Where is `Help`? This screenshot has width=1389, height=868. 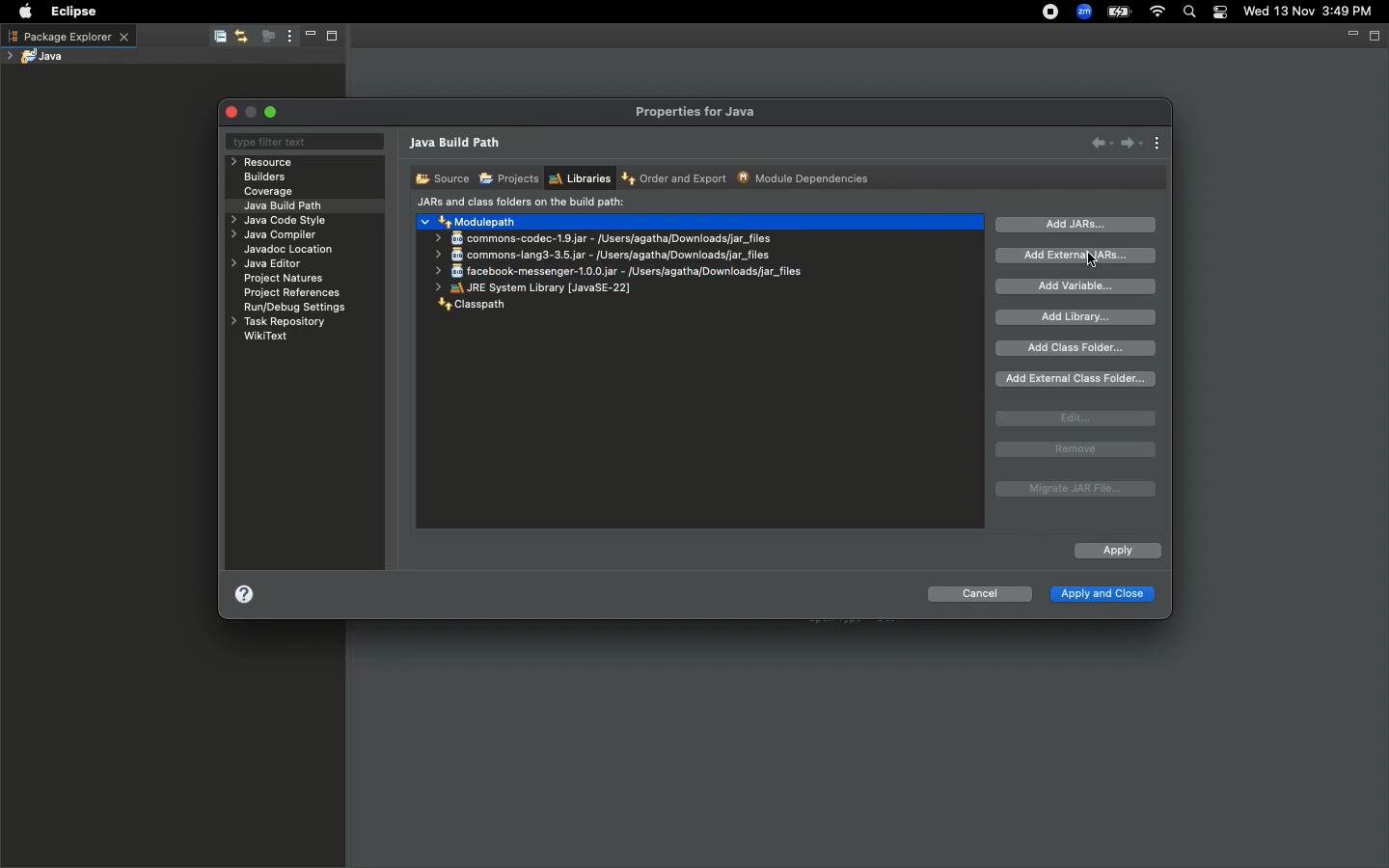 Help is located at coordinates (244, 598).